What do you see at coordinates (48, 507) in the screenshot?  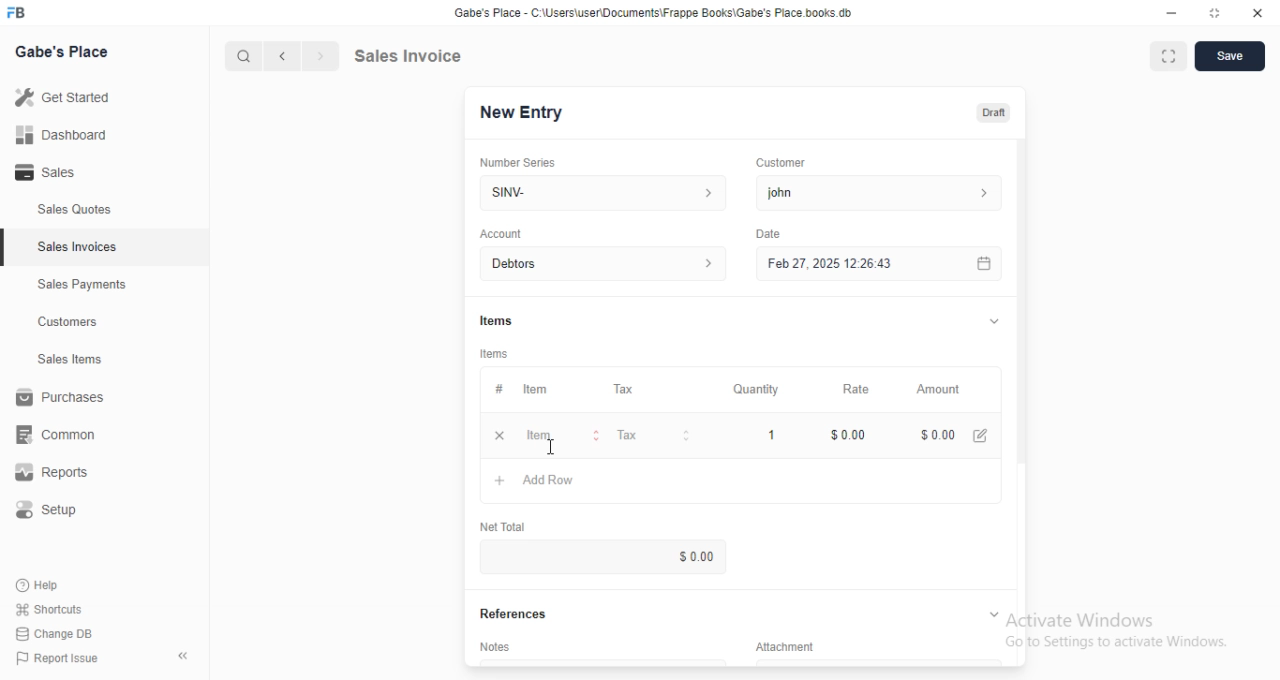 I see `Setup` at bounding box center [48, 507].